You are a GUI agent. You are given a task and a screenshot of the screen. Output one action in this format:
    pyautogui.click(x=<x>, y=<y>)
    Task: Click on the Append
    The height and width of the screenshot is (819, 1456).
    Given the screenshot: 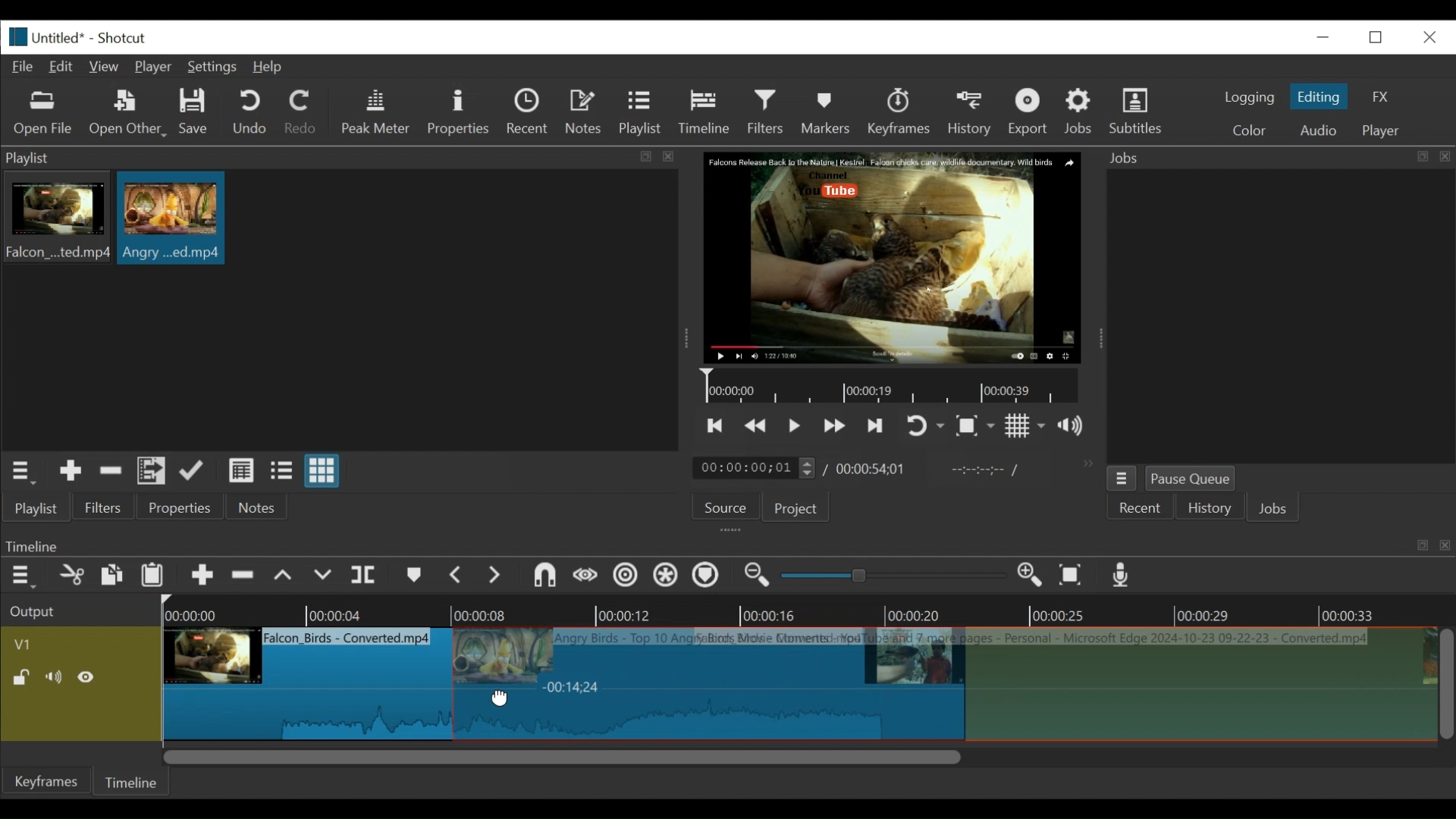 What is the action you would take?
    pyautogui.click(x=202, y=579)
    